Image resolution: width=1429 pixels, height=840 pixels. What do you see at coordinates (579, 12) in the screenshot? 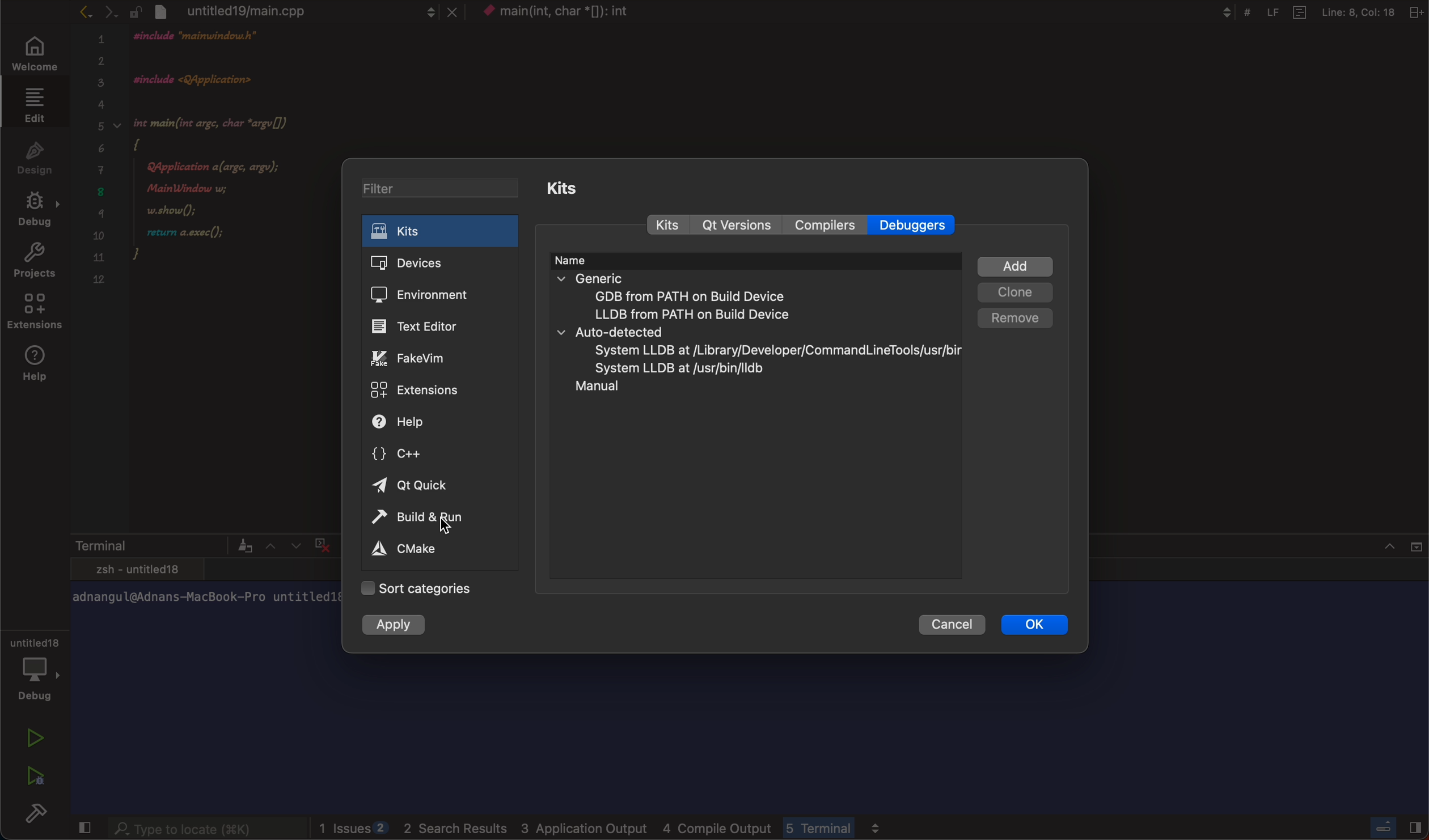
I see `context` at bounding box center [579, 12].